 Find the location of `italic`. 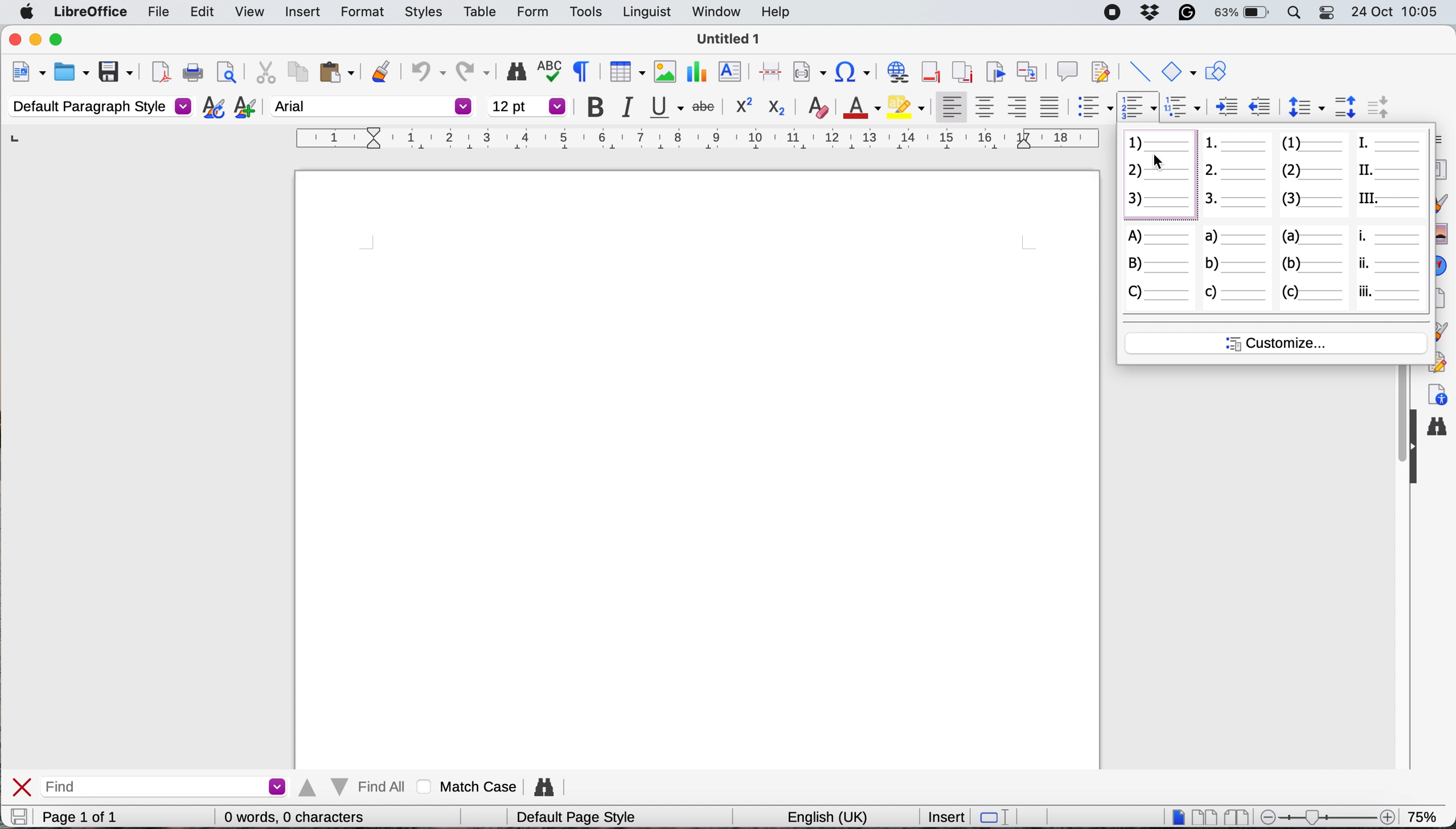

italic is located at coordinates (633, 108).